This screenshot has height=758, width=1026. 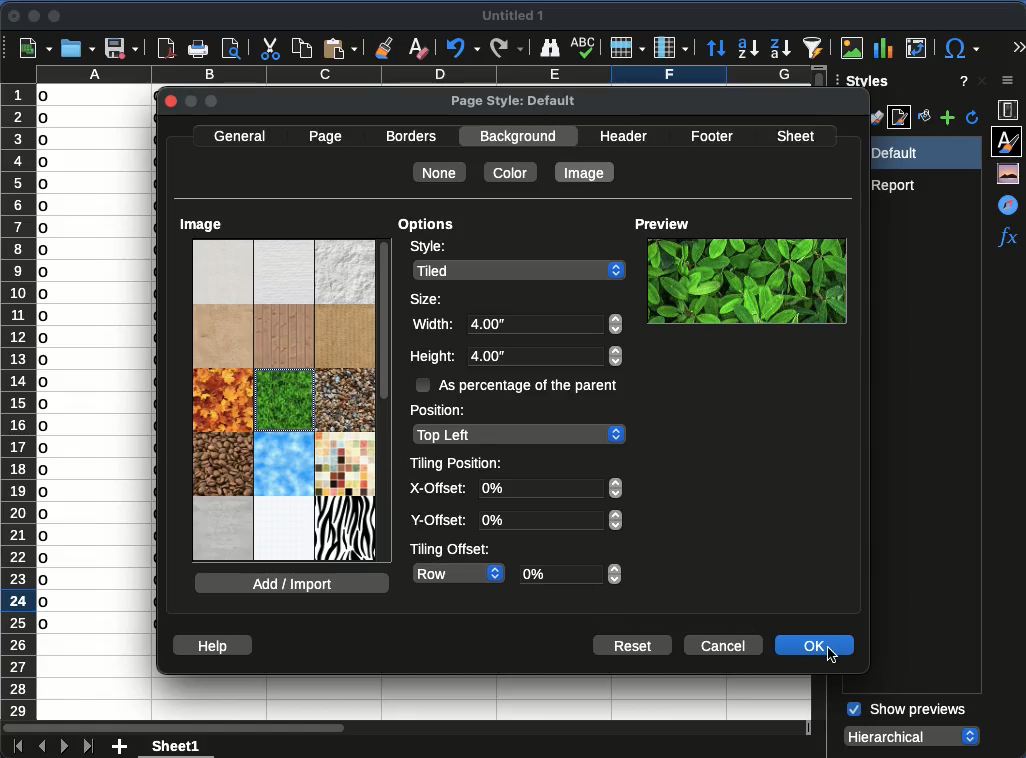 I want to click on styles, so click(x=865, y=84).